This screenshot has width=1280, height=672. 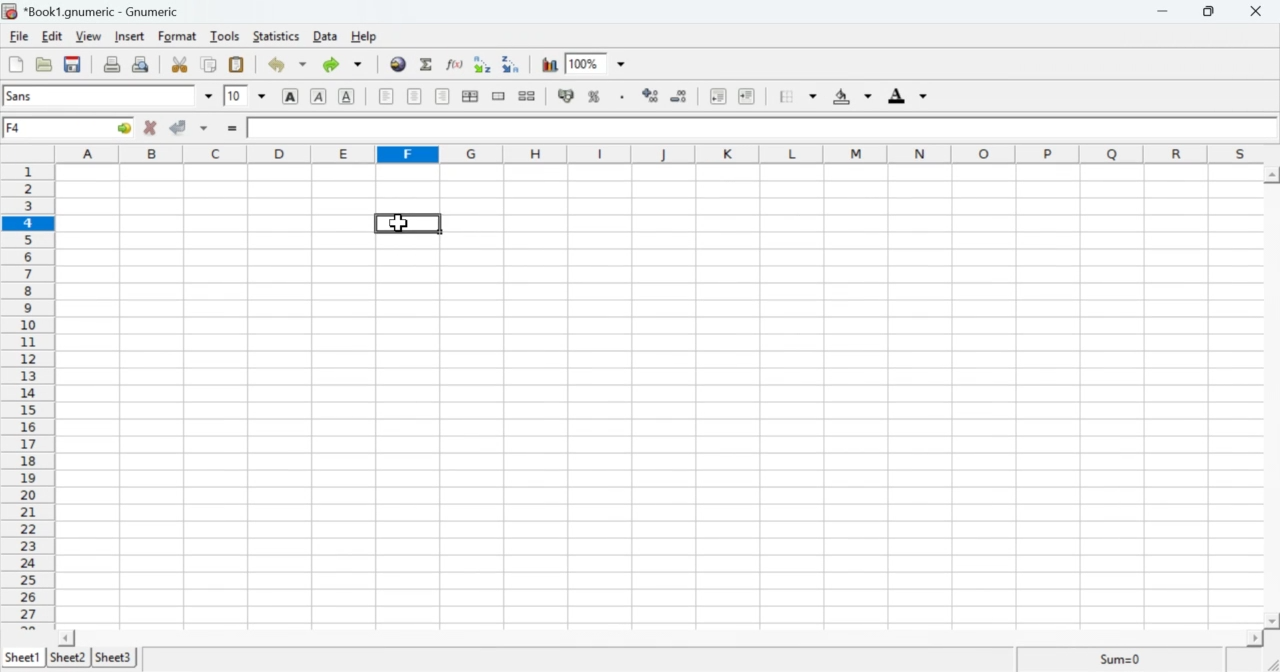 What do you see at coordinates (455, 63) in the screenshot?
I see `Edit a function` at bounding box center [455, 63].